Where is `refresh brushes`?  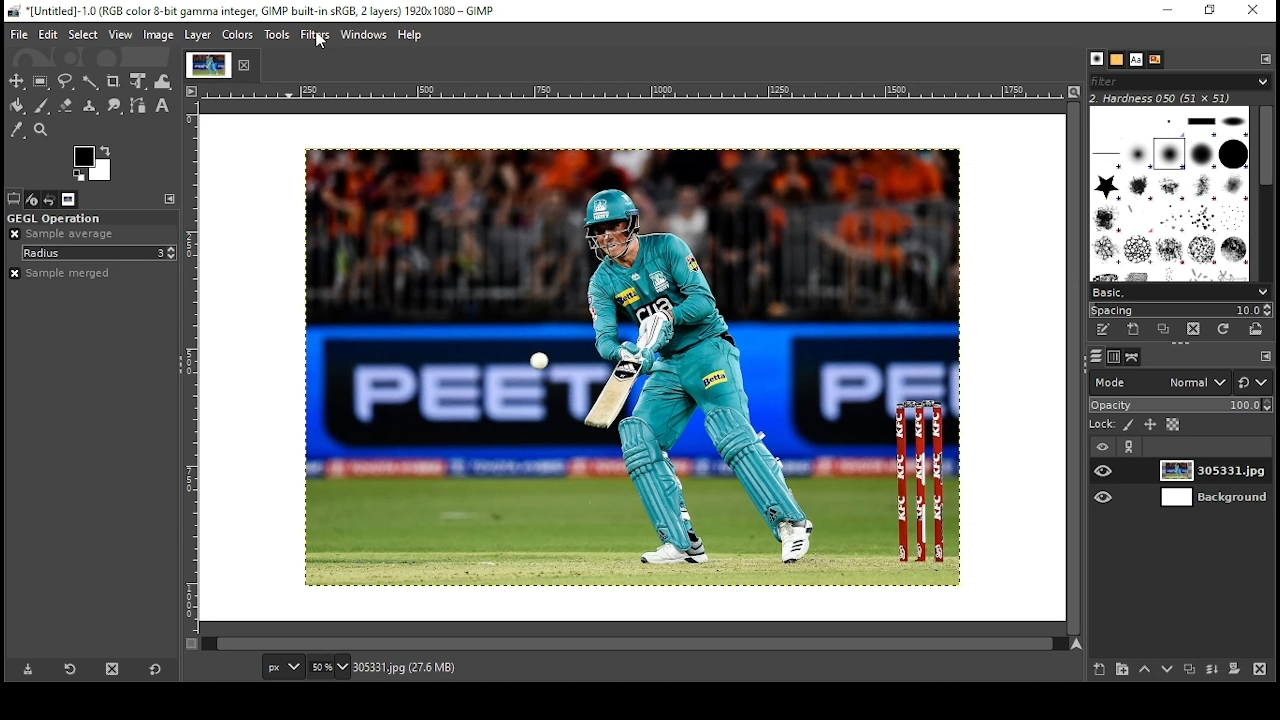 refresh brushes is located at coordinates (1225, 329).